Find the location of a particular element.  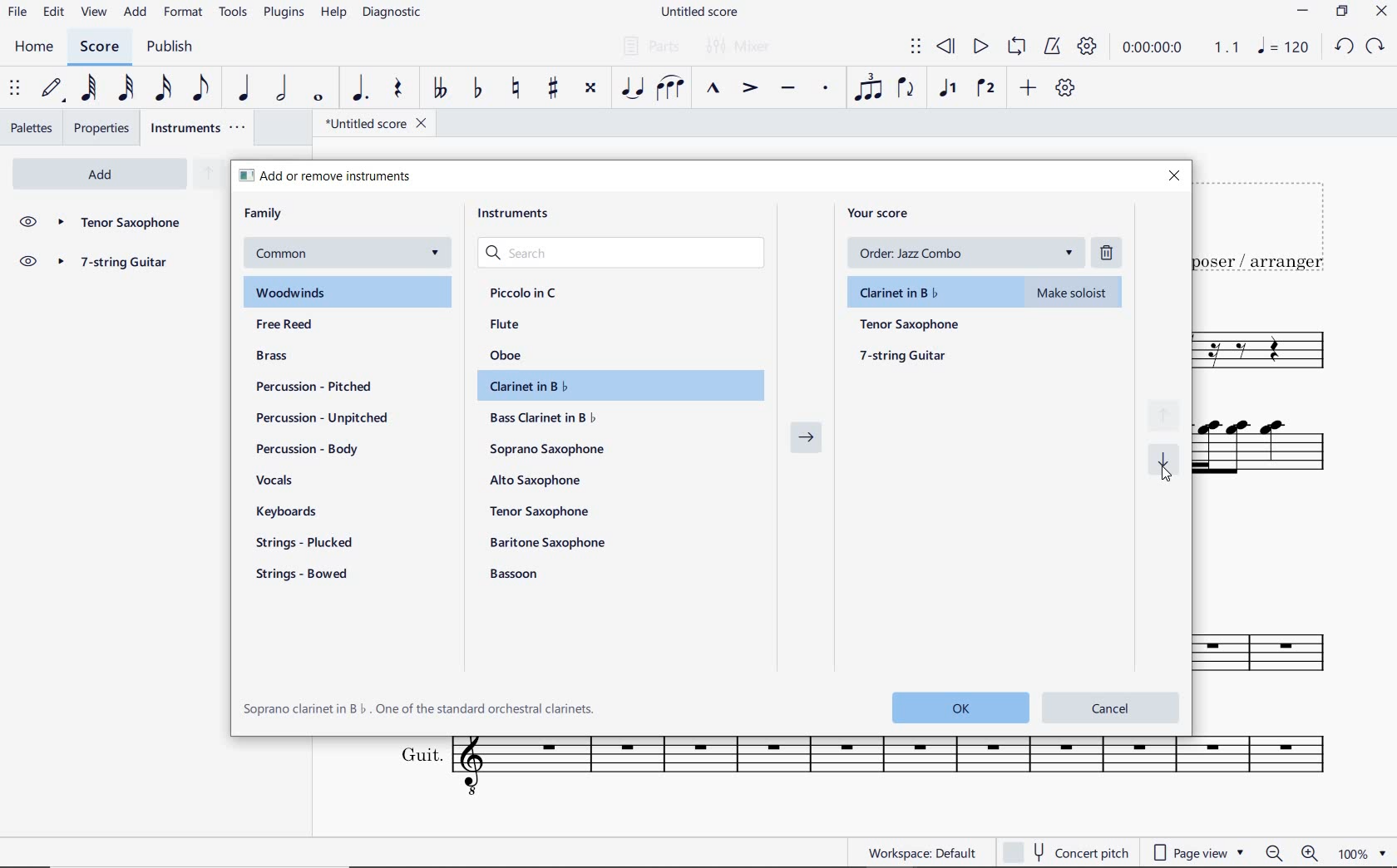

close is located at coordinates (1173, 177).